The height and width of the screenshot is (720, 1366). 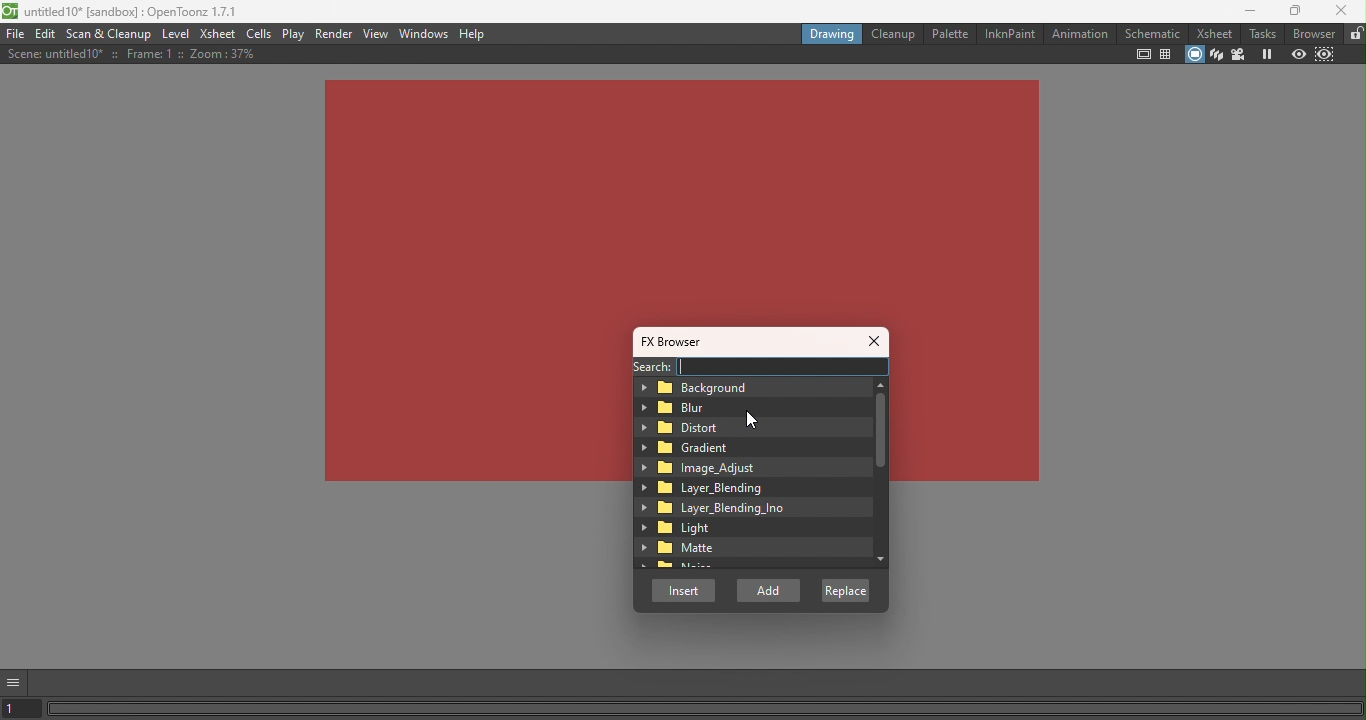 I want to click on Freeze, so click(x=1267, y=53).